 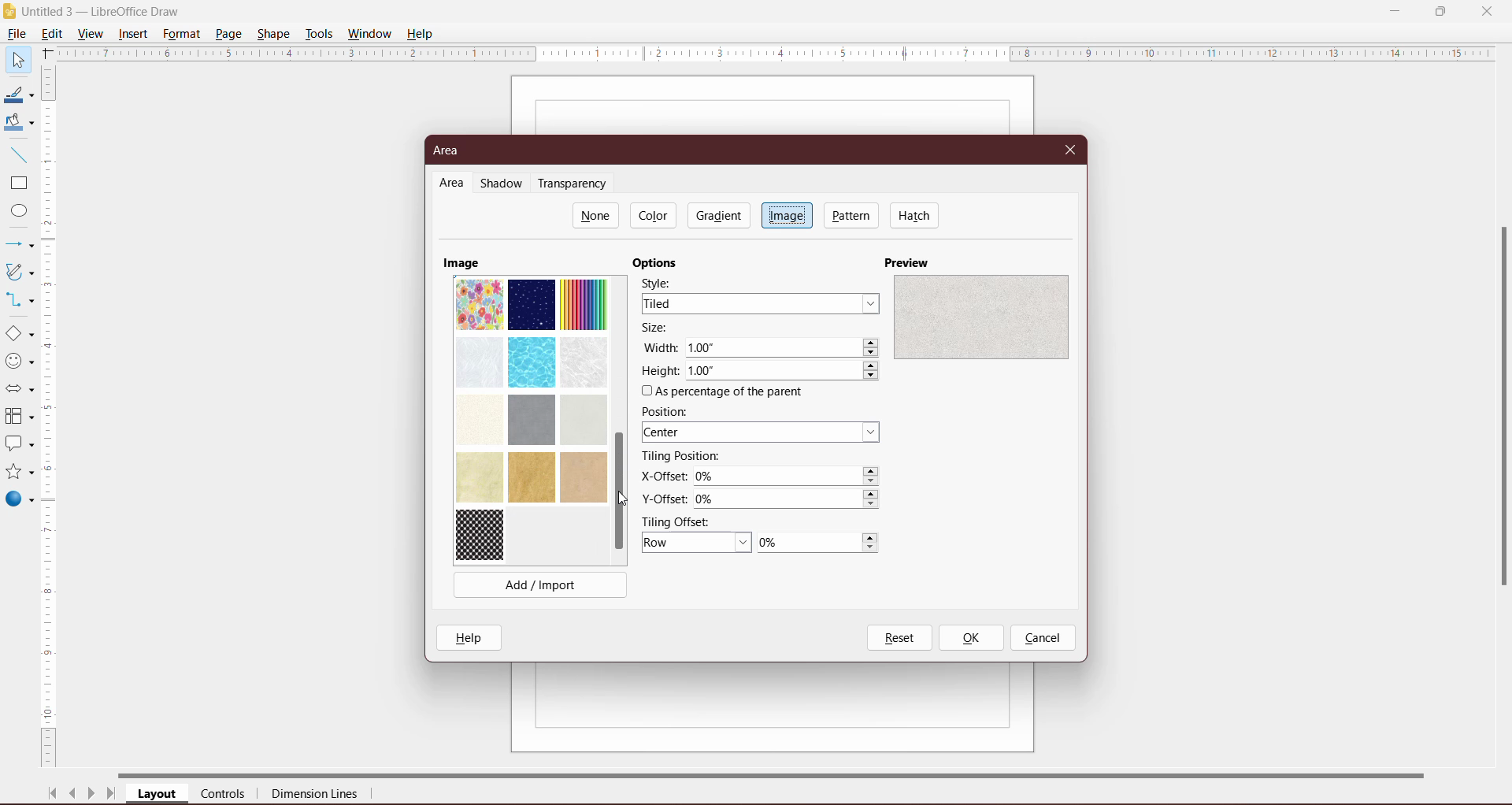 I want to click on As percentage of the present, so click(x=725, y=392).